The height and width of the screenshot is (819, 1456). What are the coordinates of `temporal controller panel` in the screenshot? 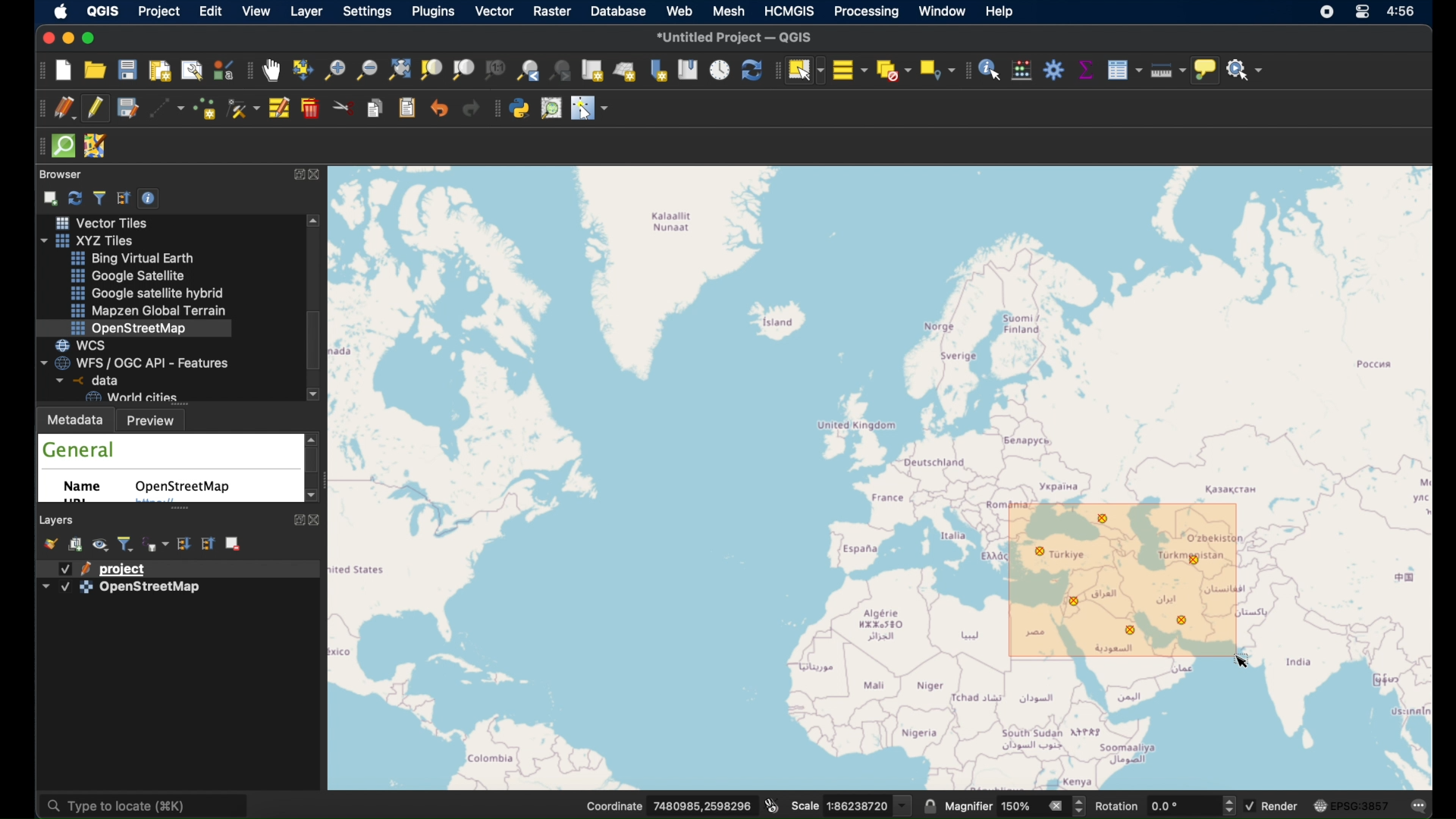 It's located at (720, 69).